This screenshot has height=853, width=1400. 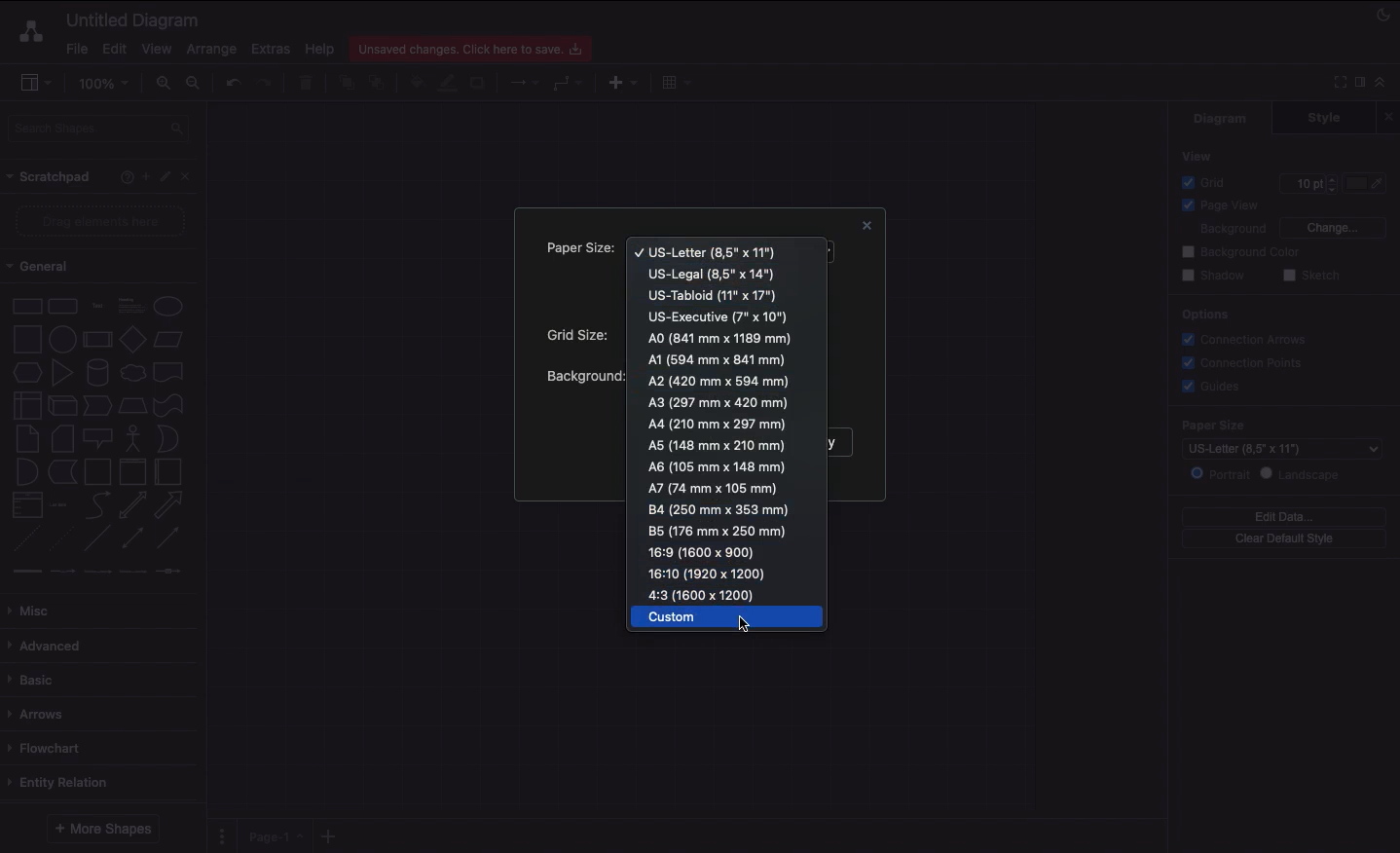 What do you see at coordinates (132, 340) in the screenshot?
I see `Diamond` at bounding box center [132, 340].